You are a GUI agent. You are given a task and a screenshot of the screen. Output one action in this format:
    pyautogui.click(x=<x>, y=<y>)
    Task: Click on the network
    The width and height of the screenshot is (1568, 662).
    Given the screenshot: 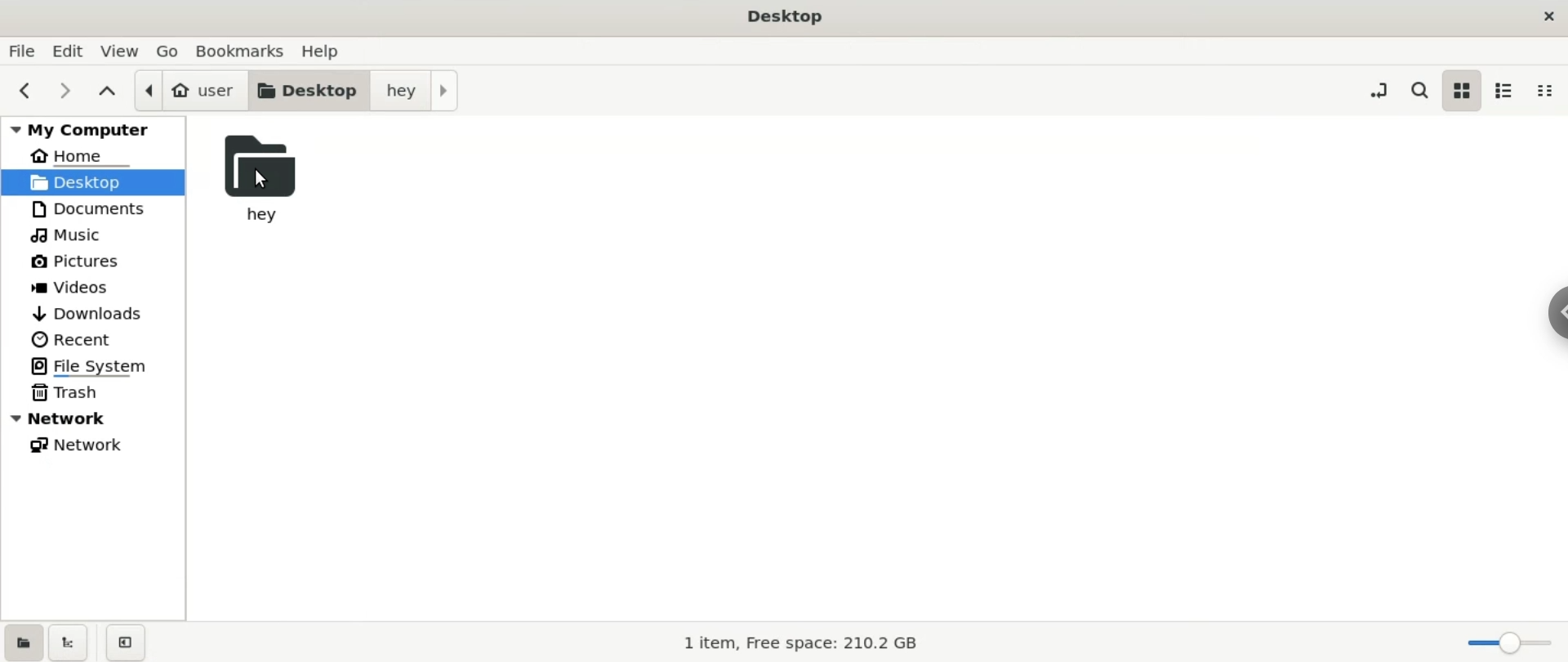 What is the action you would take?
    pyautogui.click(x=95, y=442)
    